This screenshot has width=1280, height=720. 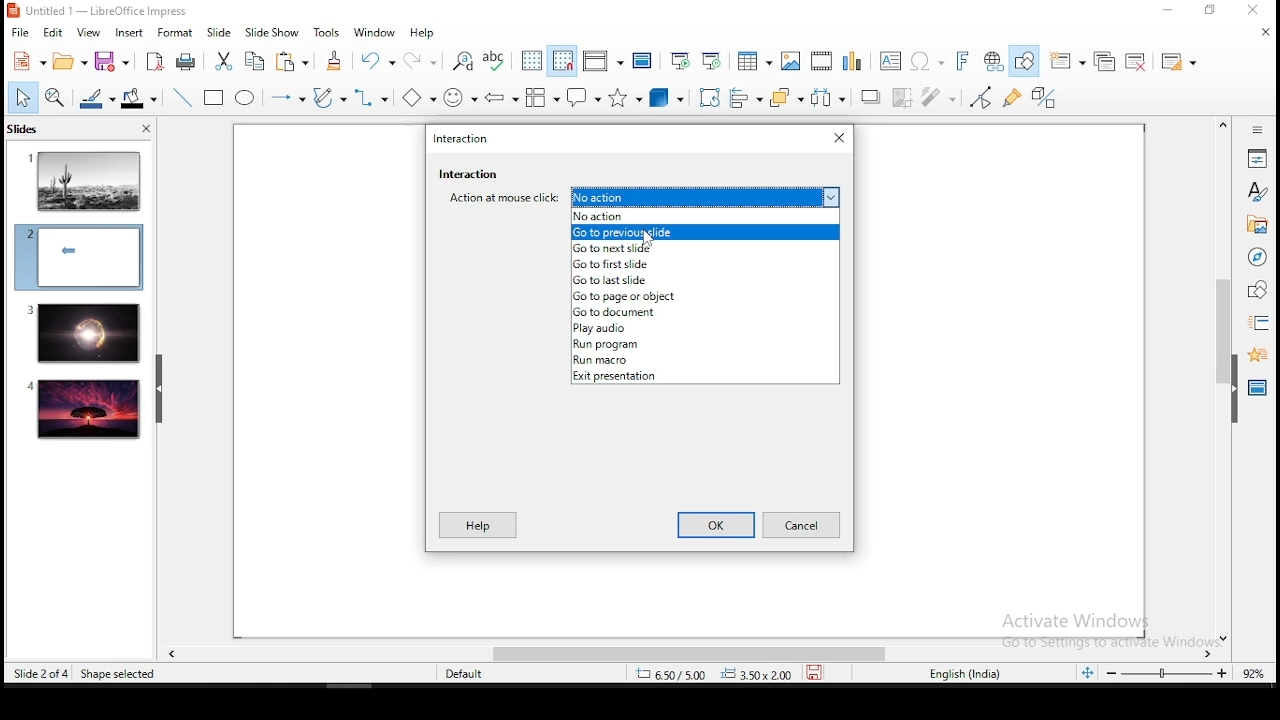 What do you see at coordinates (174, 32) in the screenshot?
I see `format` at bounding box center [174, 32].